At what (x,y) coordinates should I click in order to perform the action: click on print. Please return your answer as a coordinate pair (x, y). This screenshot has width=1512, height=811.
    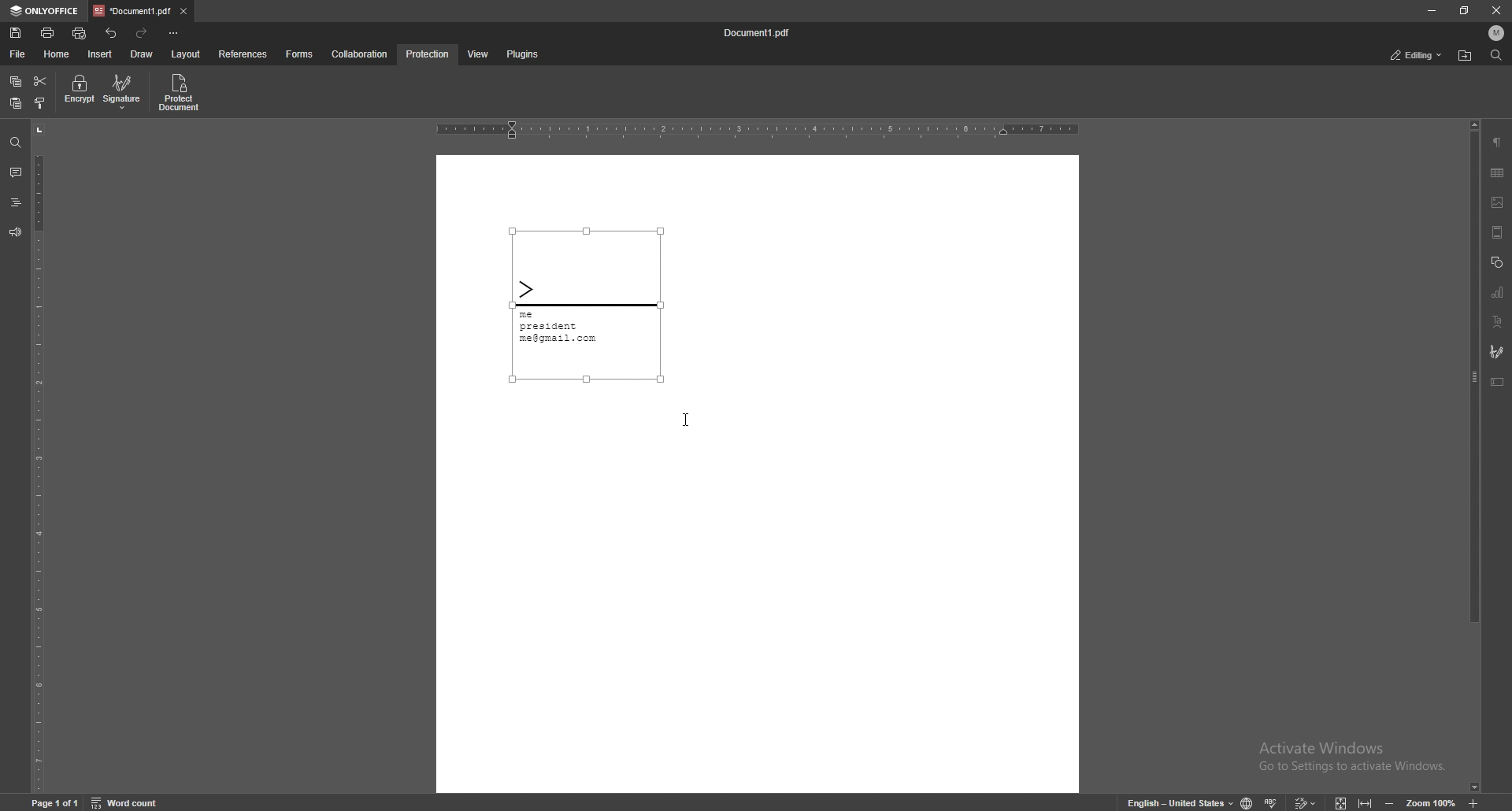
    Looking at the image, I should click on (49, 32).